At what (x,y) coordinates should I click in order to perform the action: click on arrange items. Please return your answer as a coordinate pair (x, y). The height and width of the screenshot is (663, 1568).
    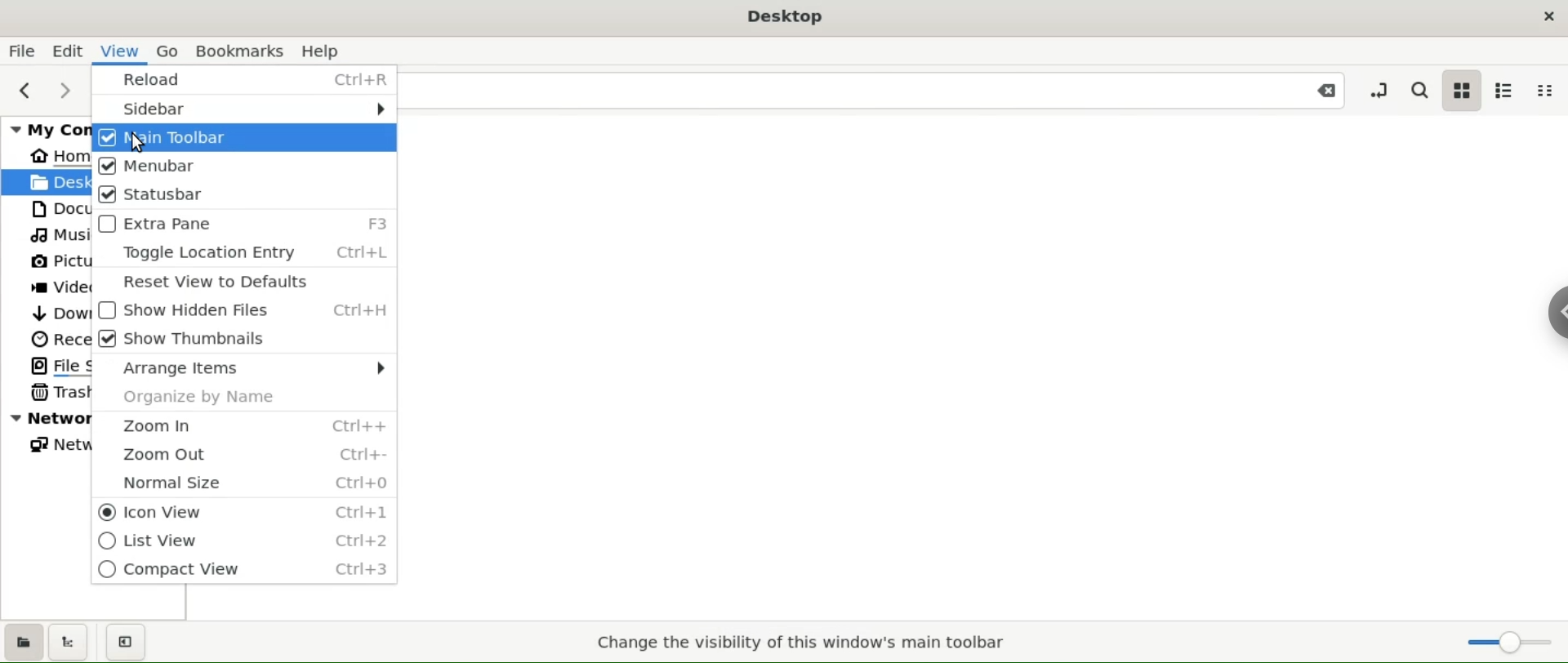
    Looking at the image, I should click on (245, 369).